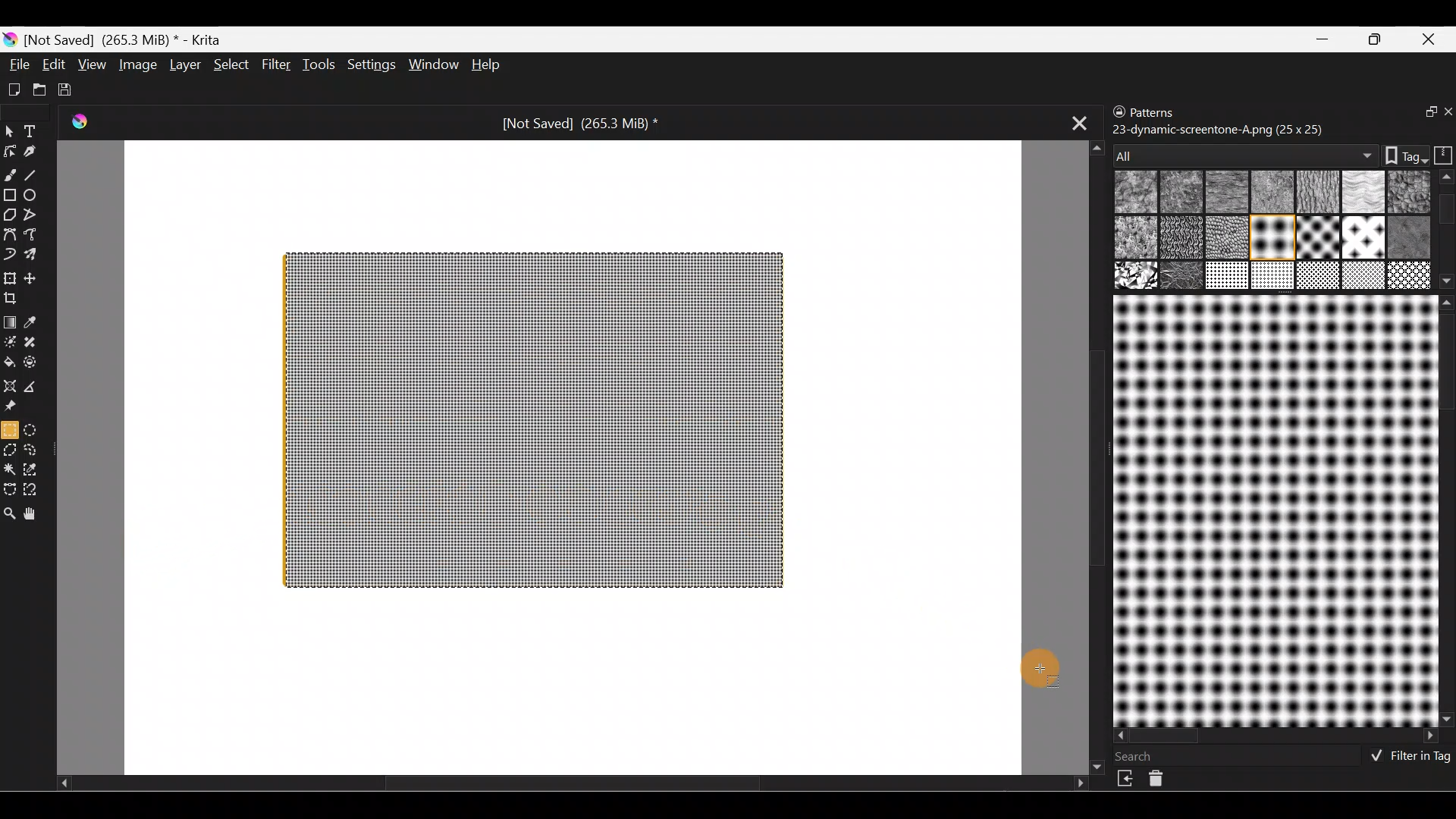 This screenshot has width=1456, height=819. Describe the element at coordinates (32, 215) in the screenshot. I see `Polyline tool` at that location.